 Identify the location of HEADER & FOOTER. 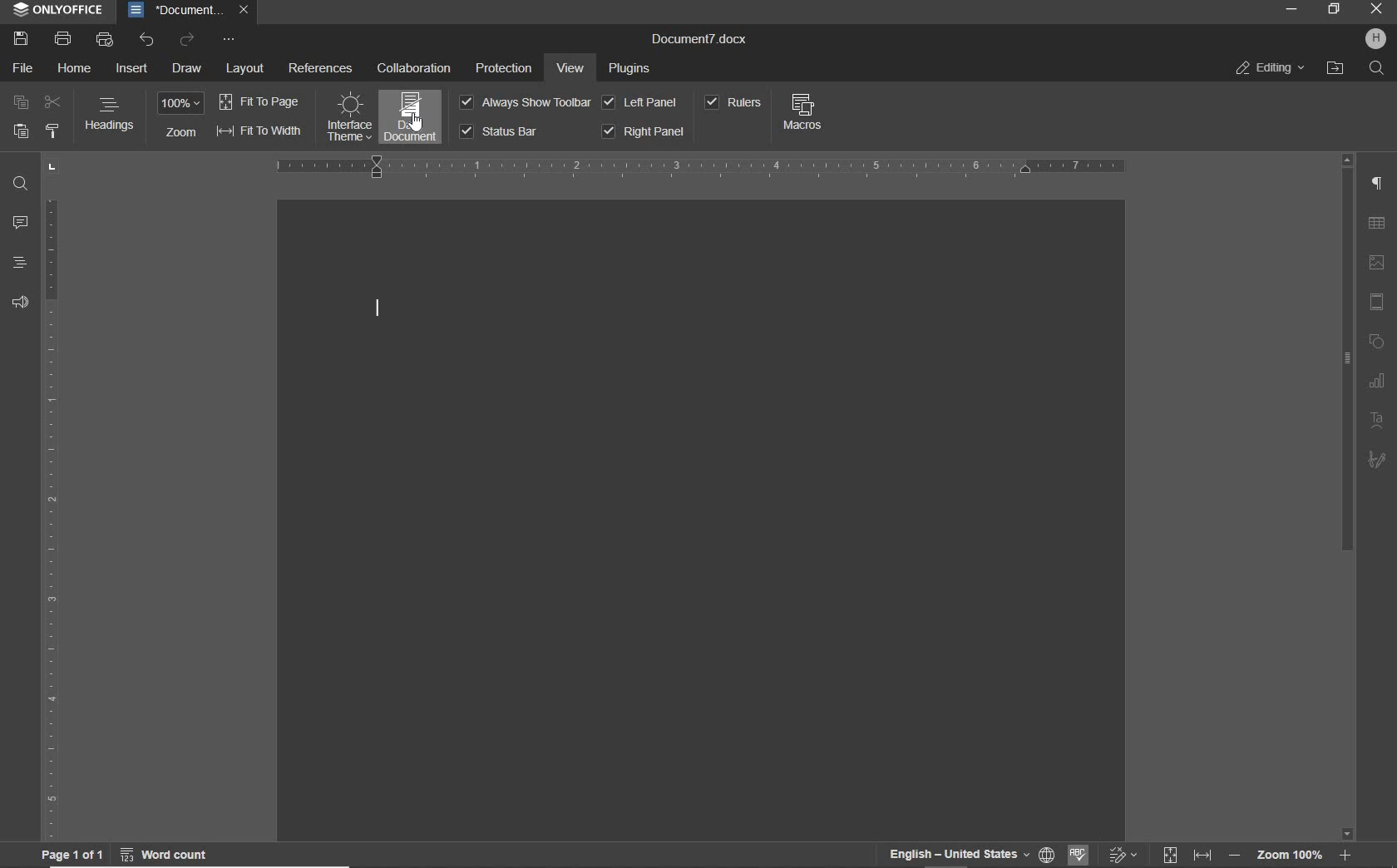
(1377, 301).